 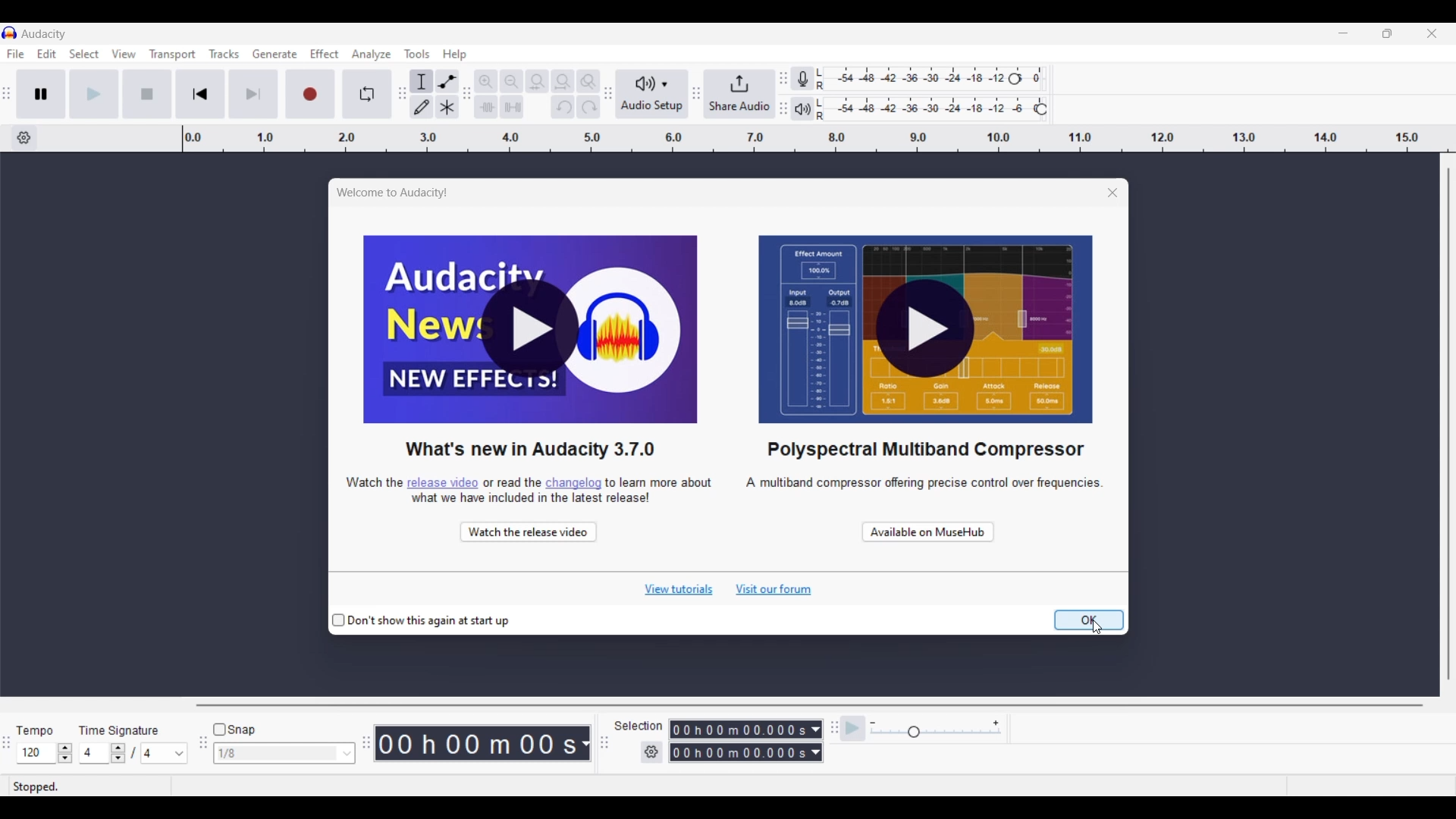 I want to click on toolbar, so click(x=363, y=740).